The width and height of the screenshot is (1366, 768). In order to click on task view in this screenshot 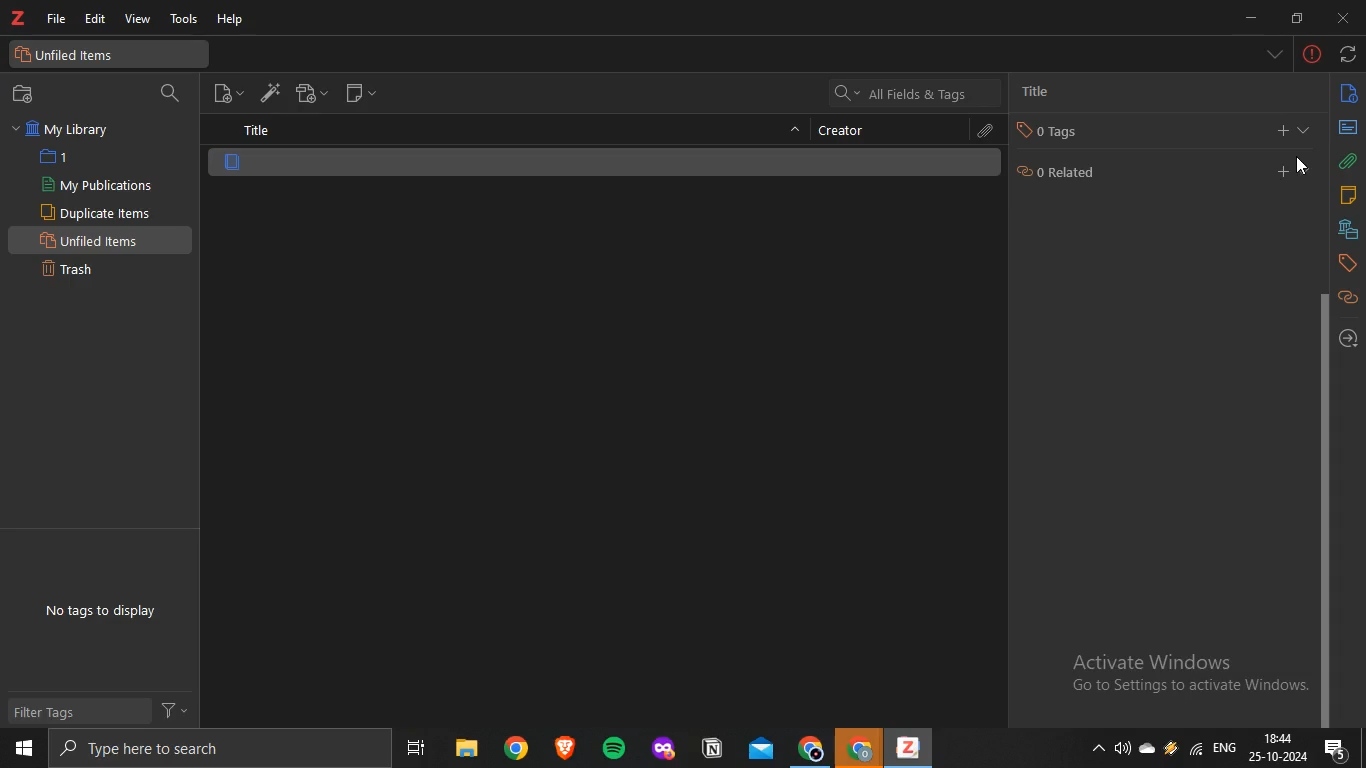, I will do `click(414, 748)`.